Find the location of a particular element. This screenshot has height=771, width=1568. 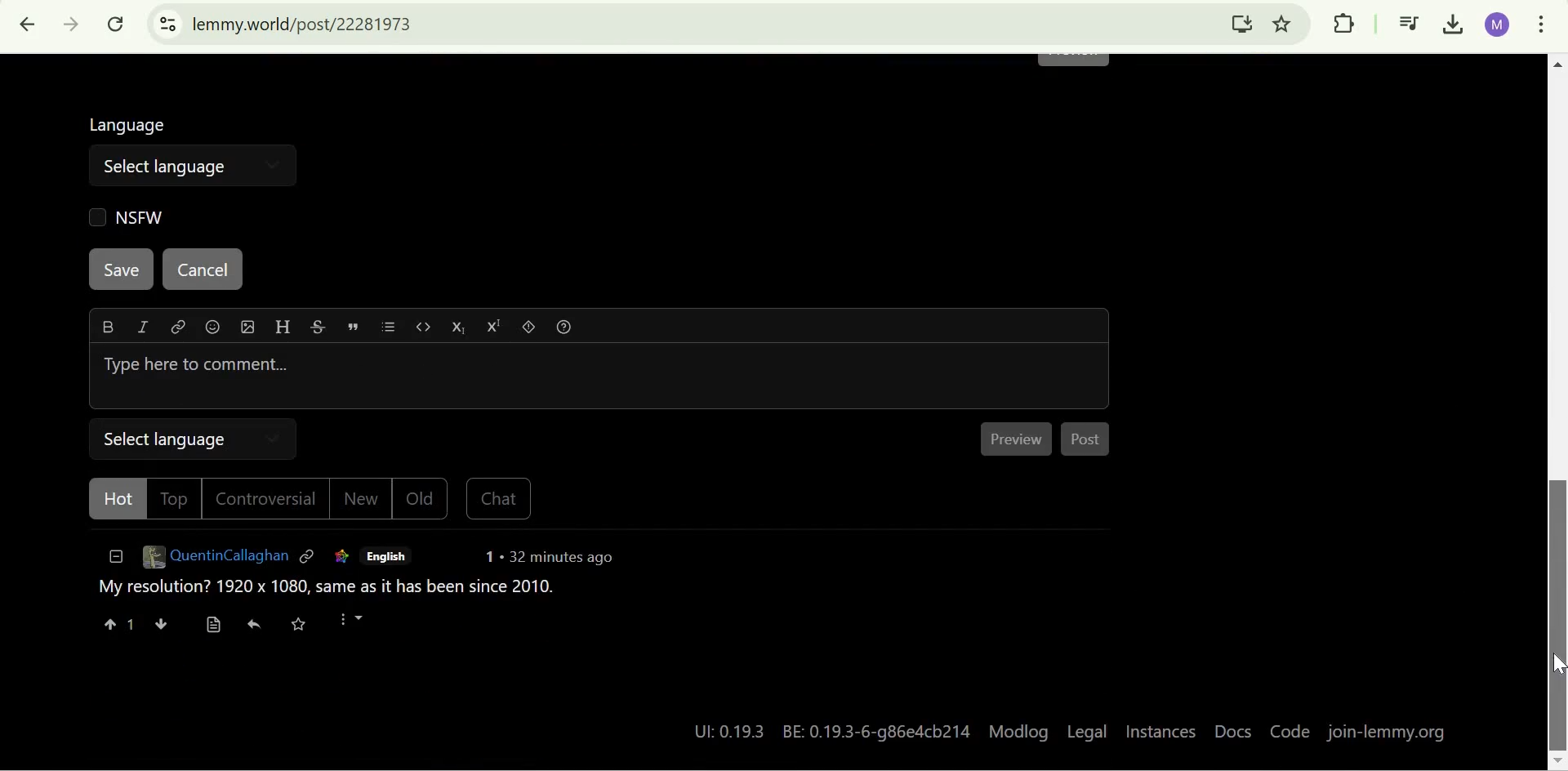

code is located at coordinates (425, 330).